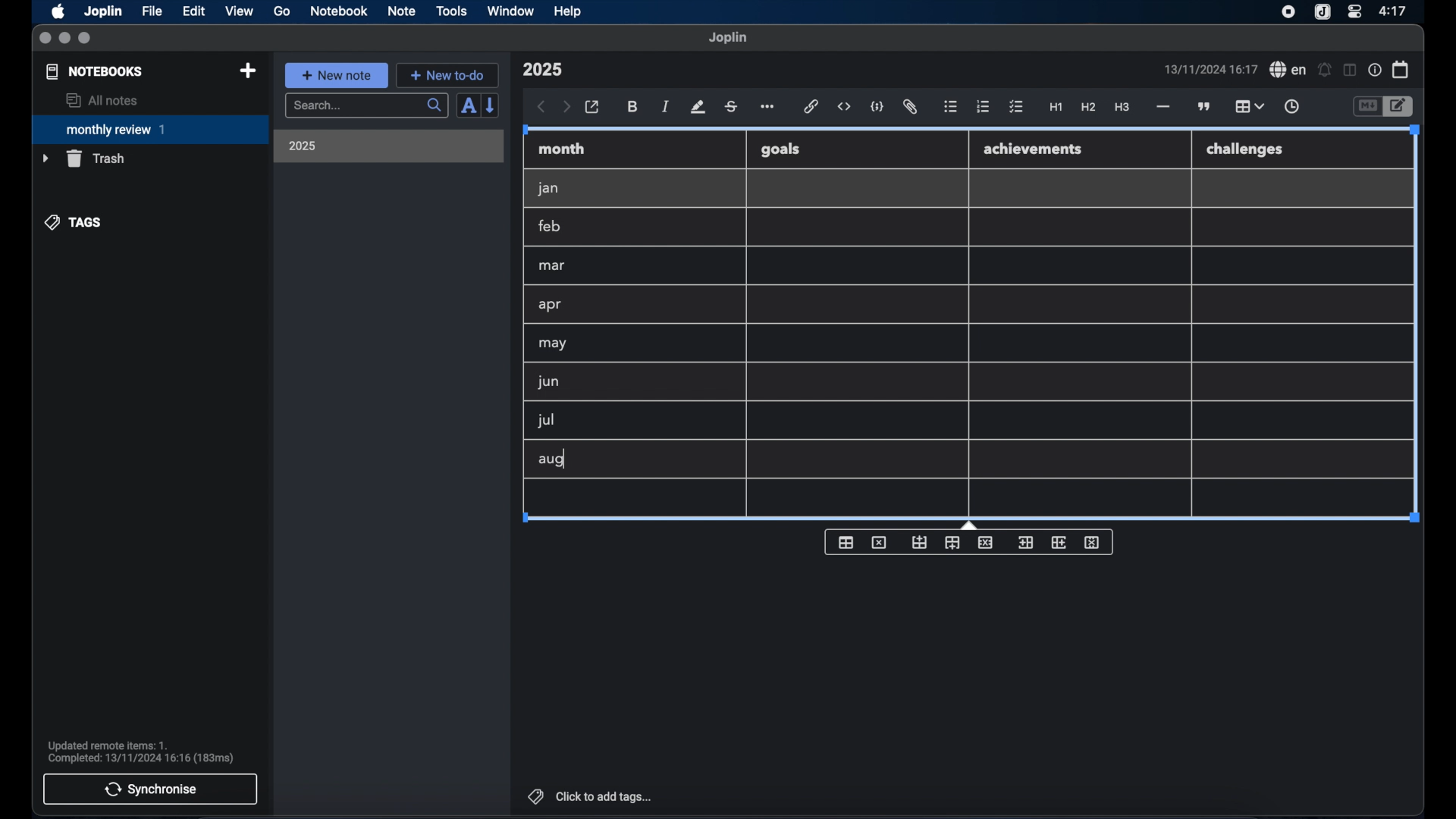 The height and width of the screenshot is (819, 1456). What do you see at coordinates (336, 75) in the screenshot?
I see `new note` at bounding box center [336, 75].